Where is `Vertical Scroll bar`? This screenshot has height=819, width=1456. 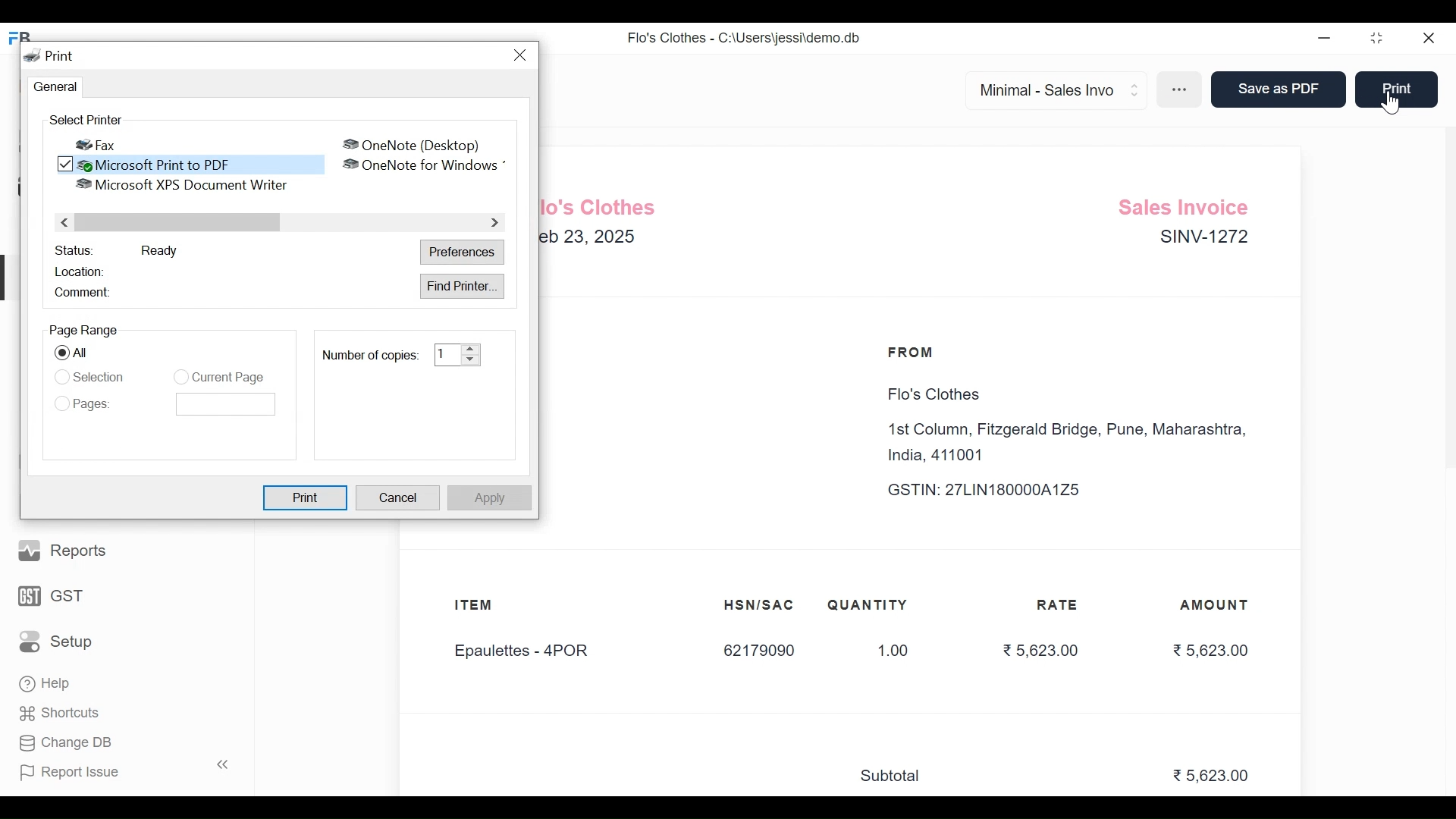 Vertical Scroll bar is located at coordinates (180, 223).